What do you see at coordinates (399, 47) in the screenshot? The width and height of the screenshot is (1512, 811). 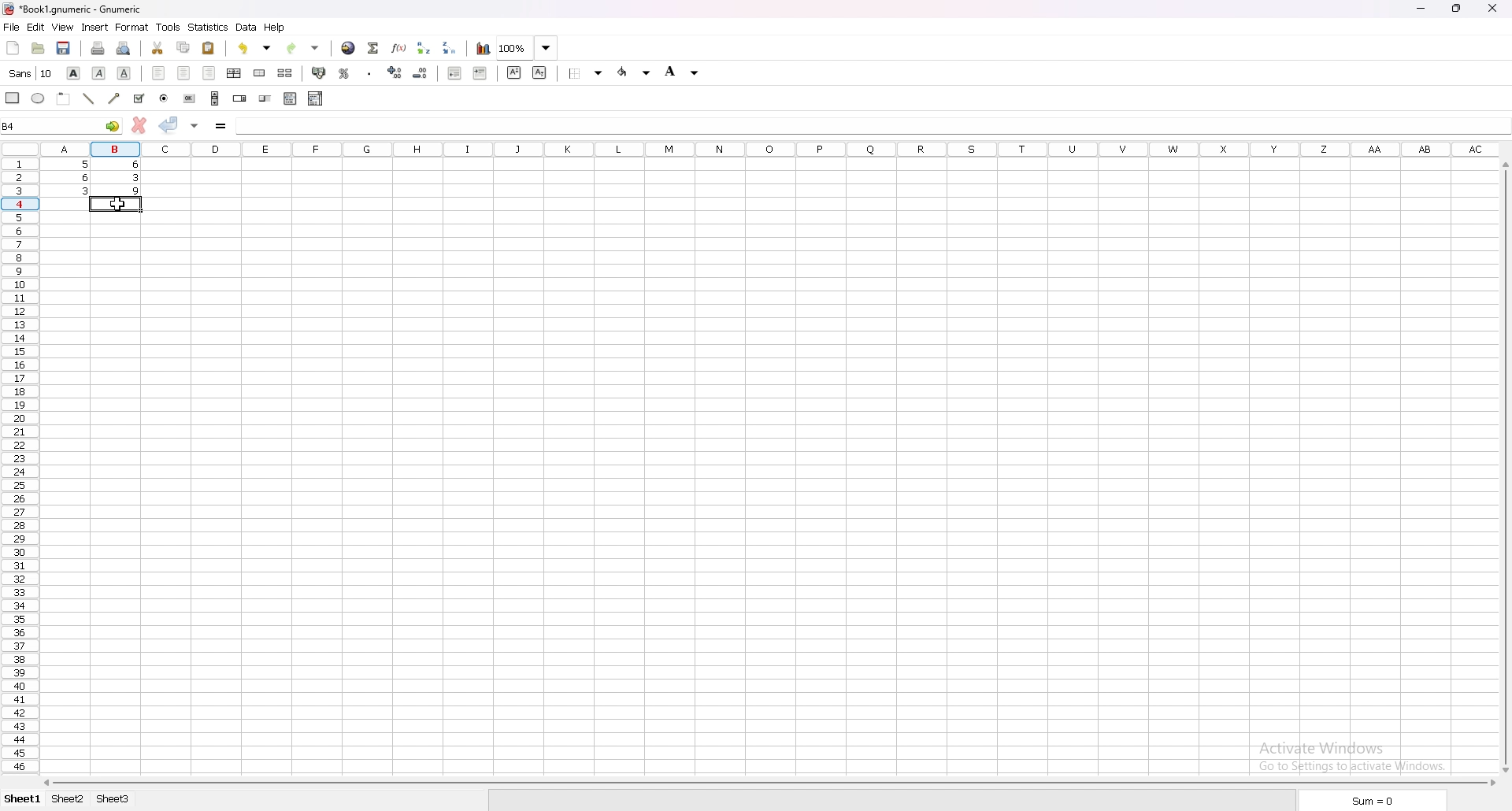 I see `function` at bounding box center [399, 47].